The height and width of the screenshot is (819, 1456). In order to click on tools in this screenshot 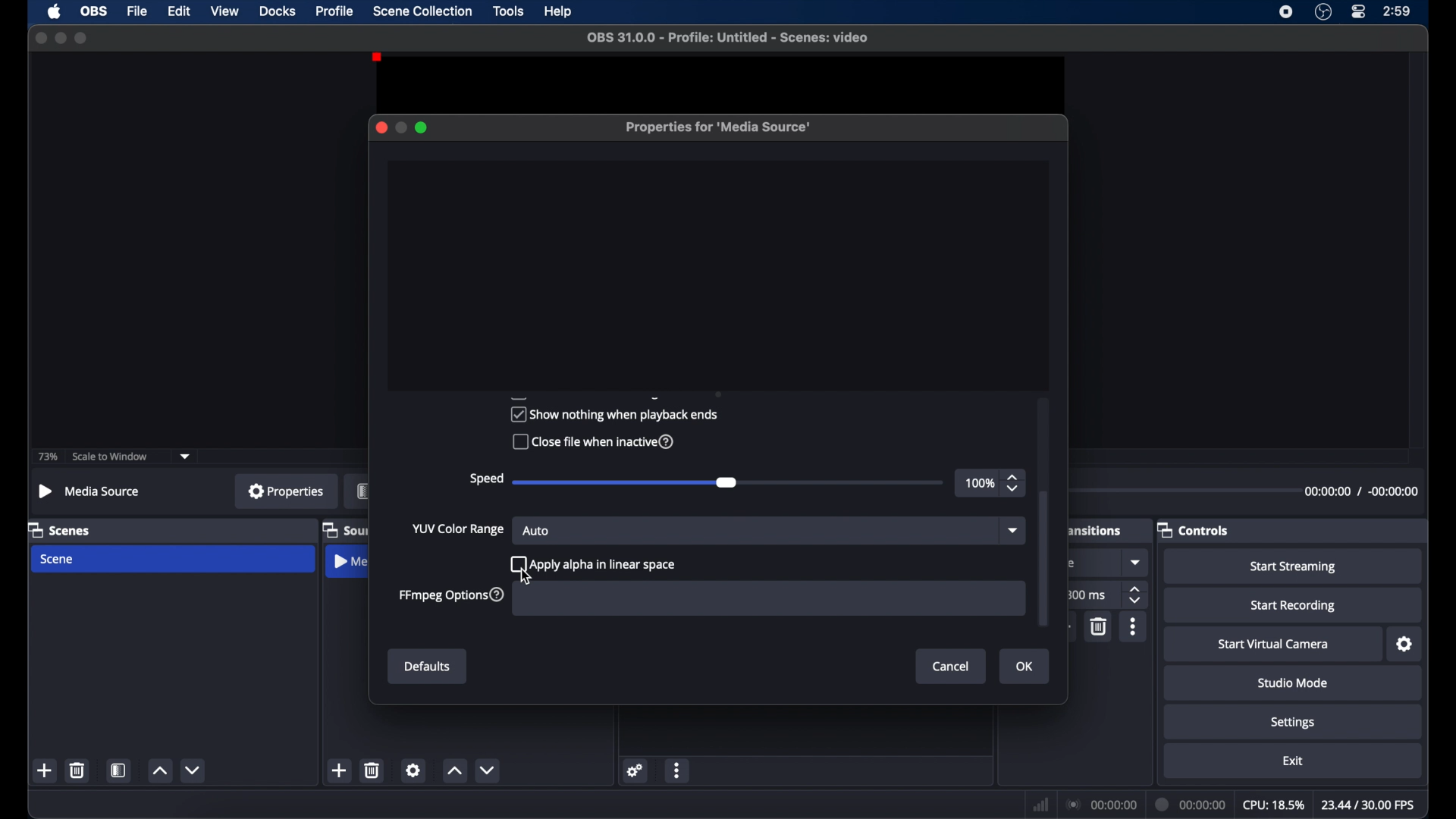, I will do `click(509, 11)`.